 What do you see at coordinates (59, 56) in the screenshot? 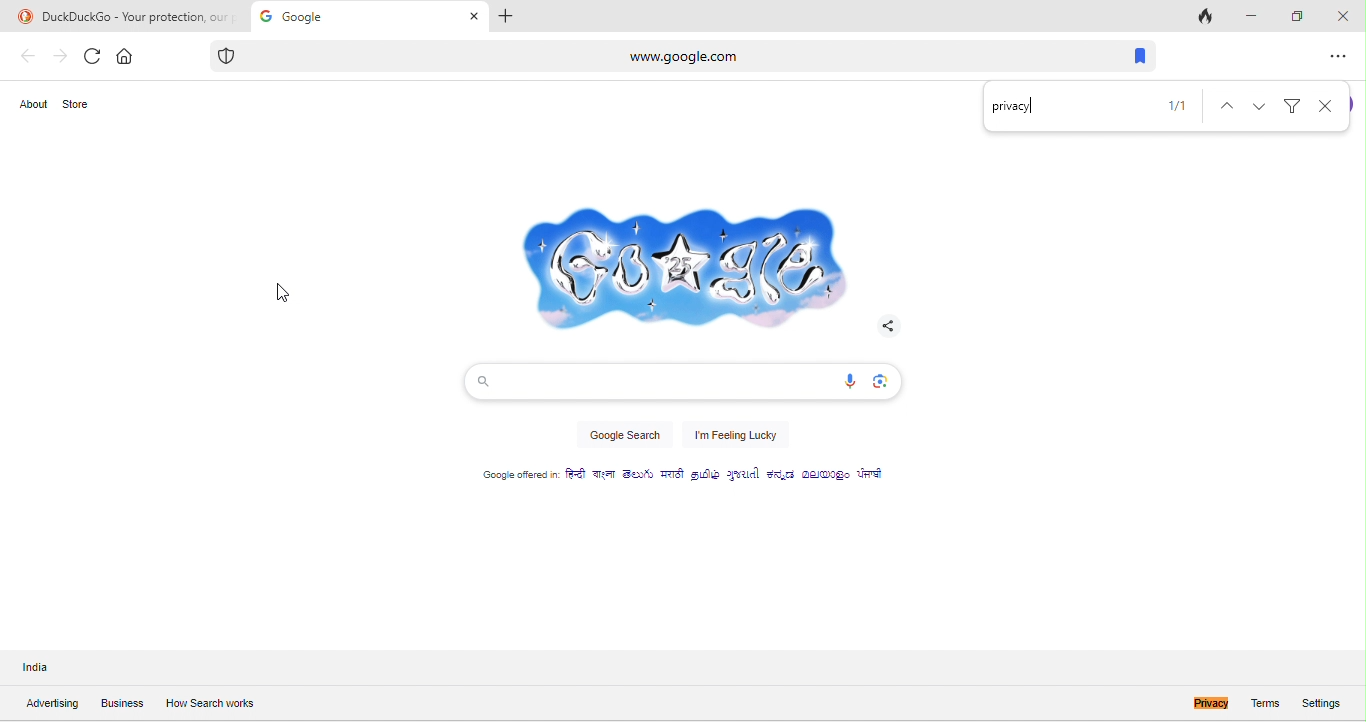
I see `forward` at bounding box center [59, 56].